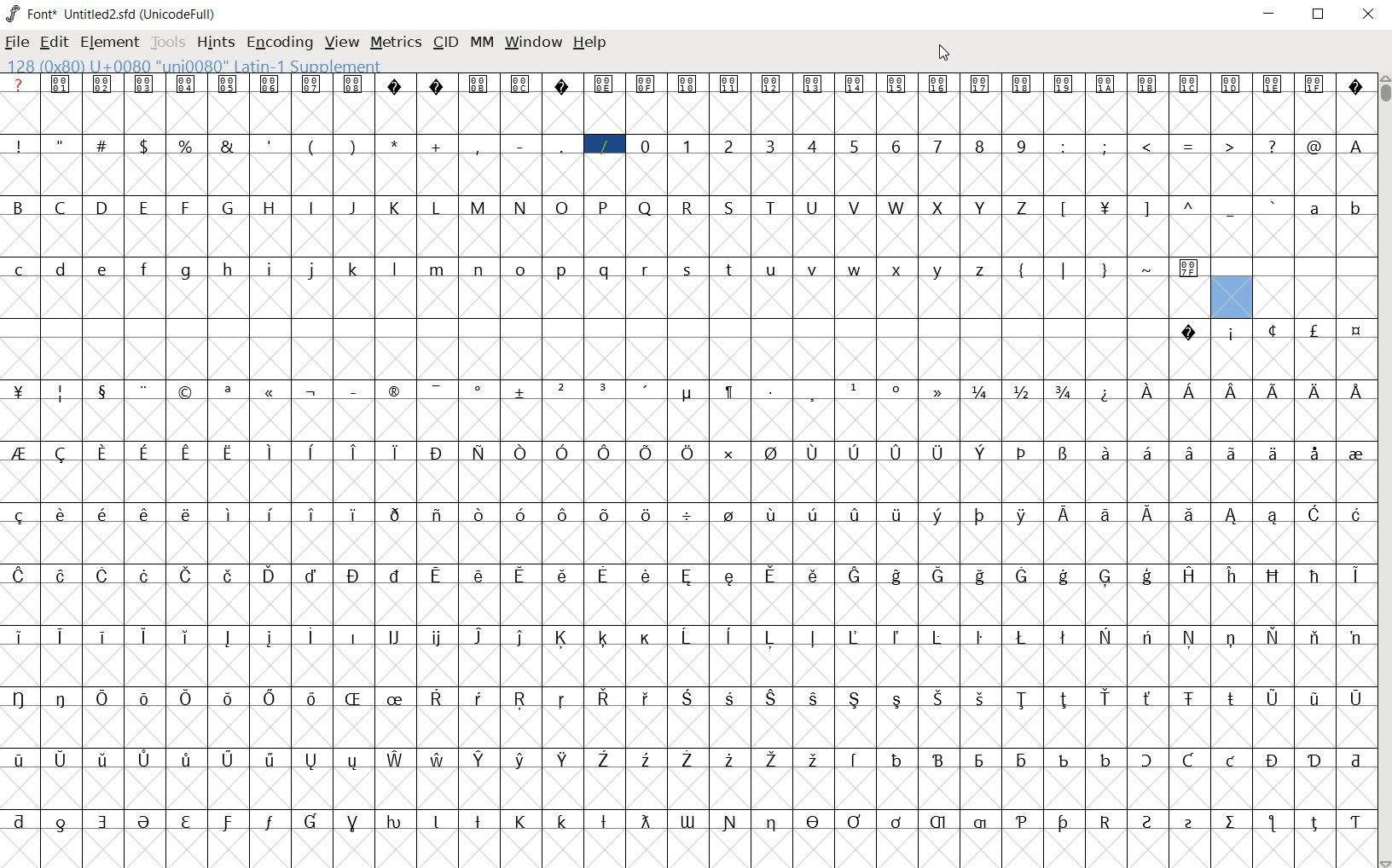  Describe the element at coordinates (229, 269) in the screenshot. I see `glyph` at that location.